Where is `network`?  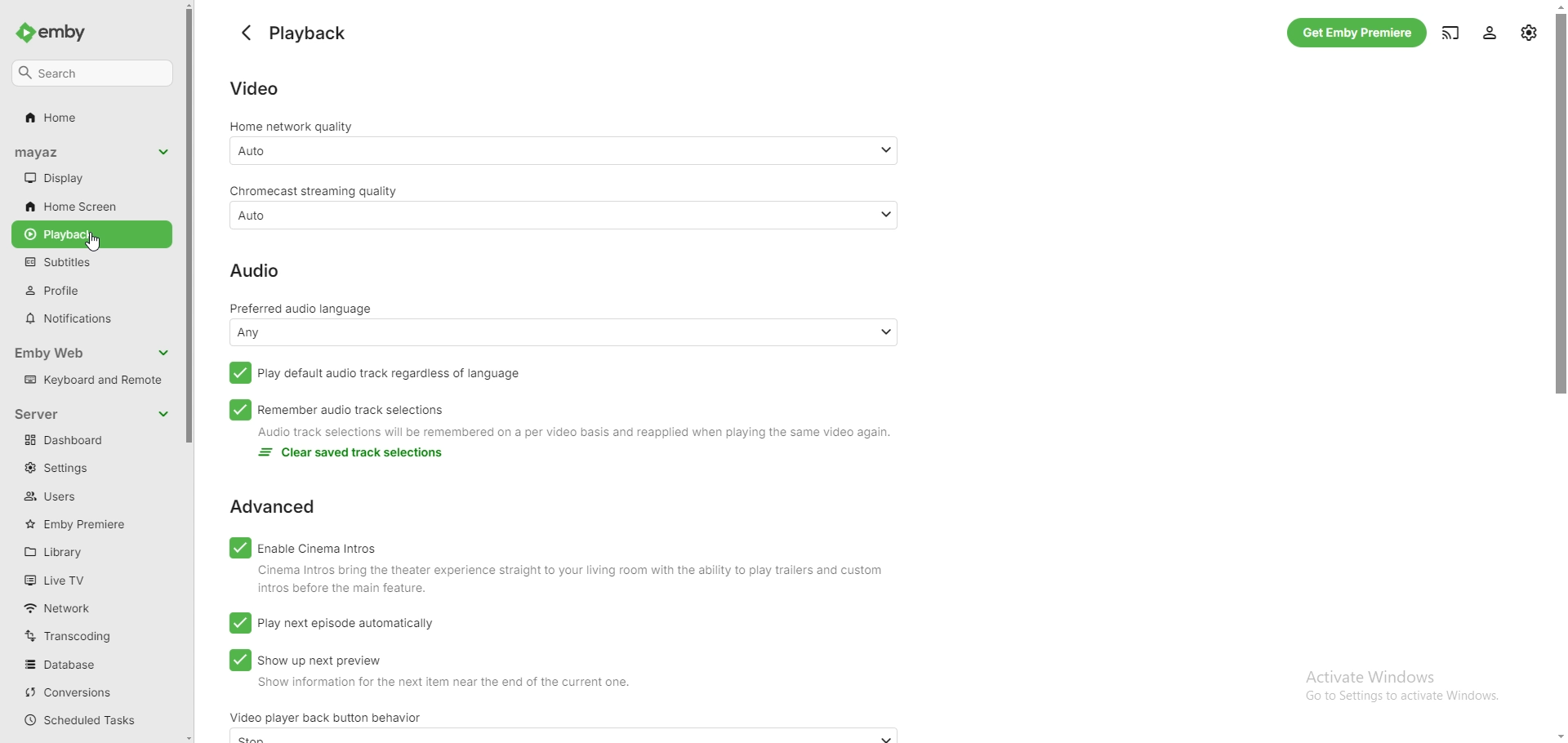 network is located at coordinates (84, 607).